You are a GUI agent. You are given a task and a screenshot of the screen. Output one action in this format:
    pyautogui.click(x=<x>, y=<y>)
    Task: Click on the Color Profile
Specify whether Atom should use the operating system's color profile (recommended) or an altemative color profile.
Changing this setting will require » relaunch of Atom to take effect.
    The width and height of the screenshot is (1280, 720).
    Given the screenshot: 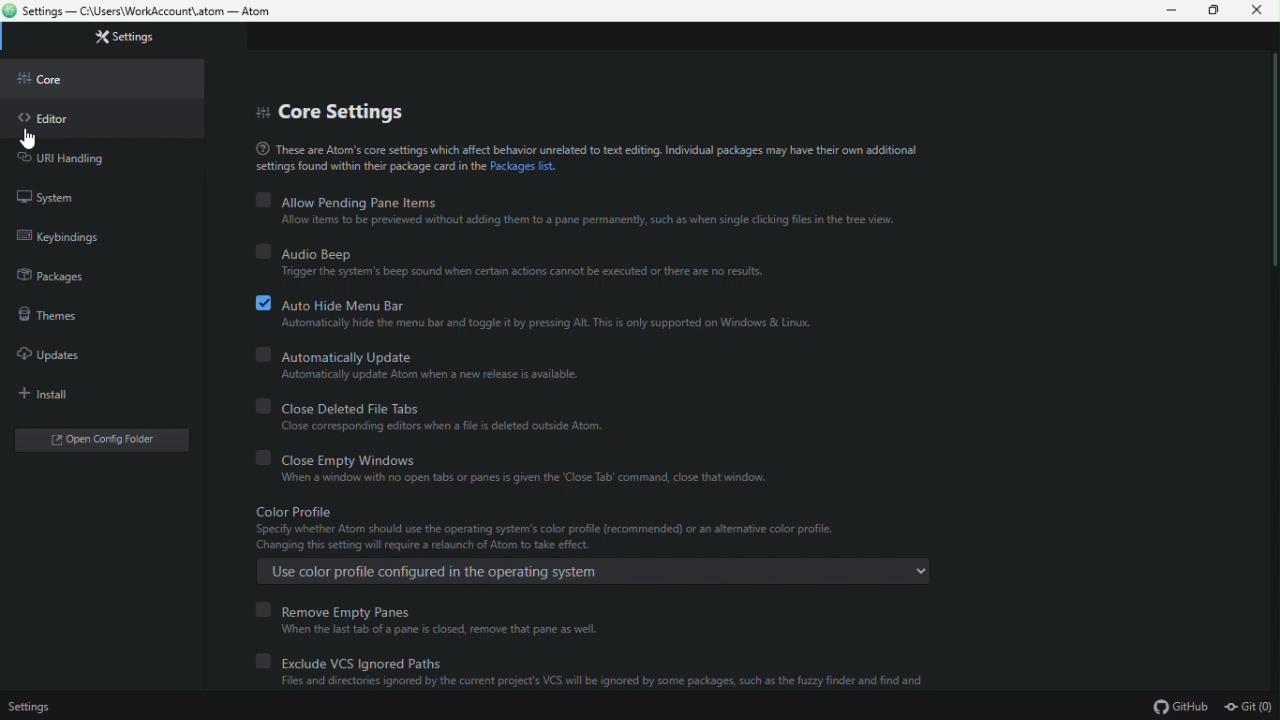 What is the action you would take?
    pyautogui.click(x=564, y=529)
    